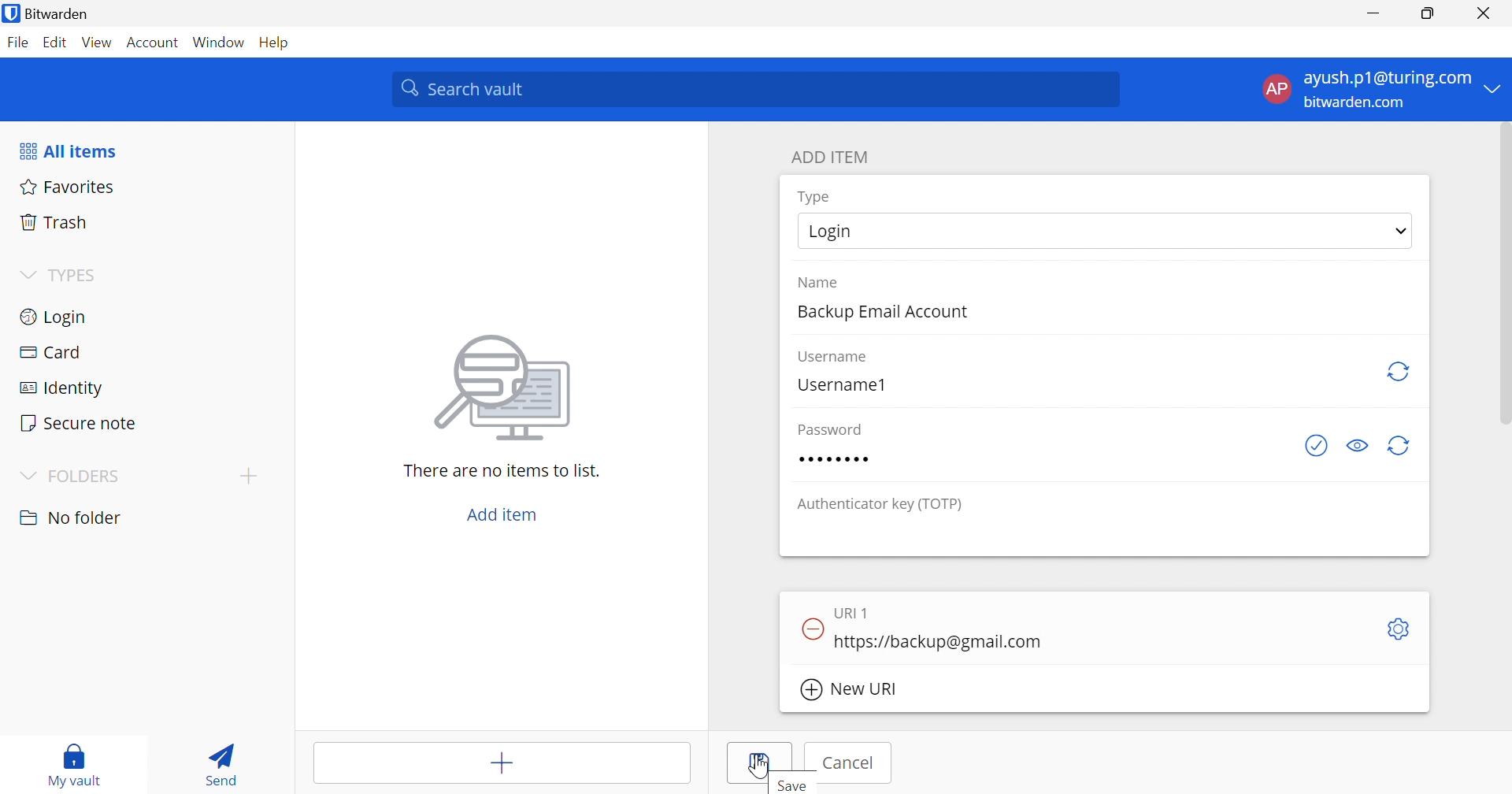 The image size is (1512, 794). I want to click on Cursor, so click(758, 765).